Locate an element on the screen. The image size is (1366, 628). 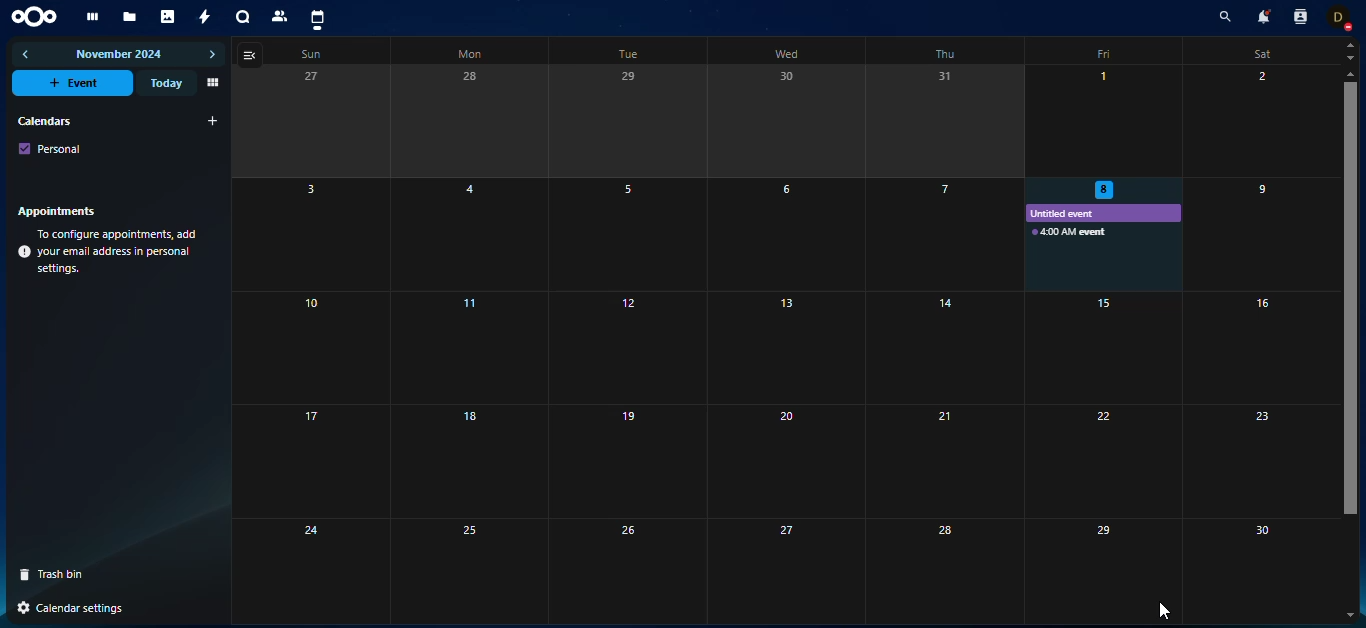
calendars is located at coordinates (43, 120).